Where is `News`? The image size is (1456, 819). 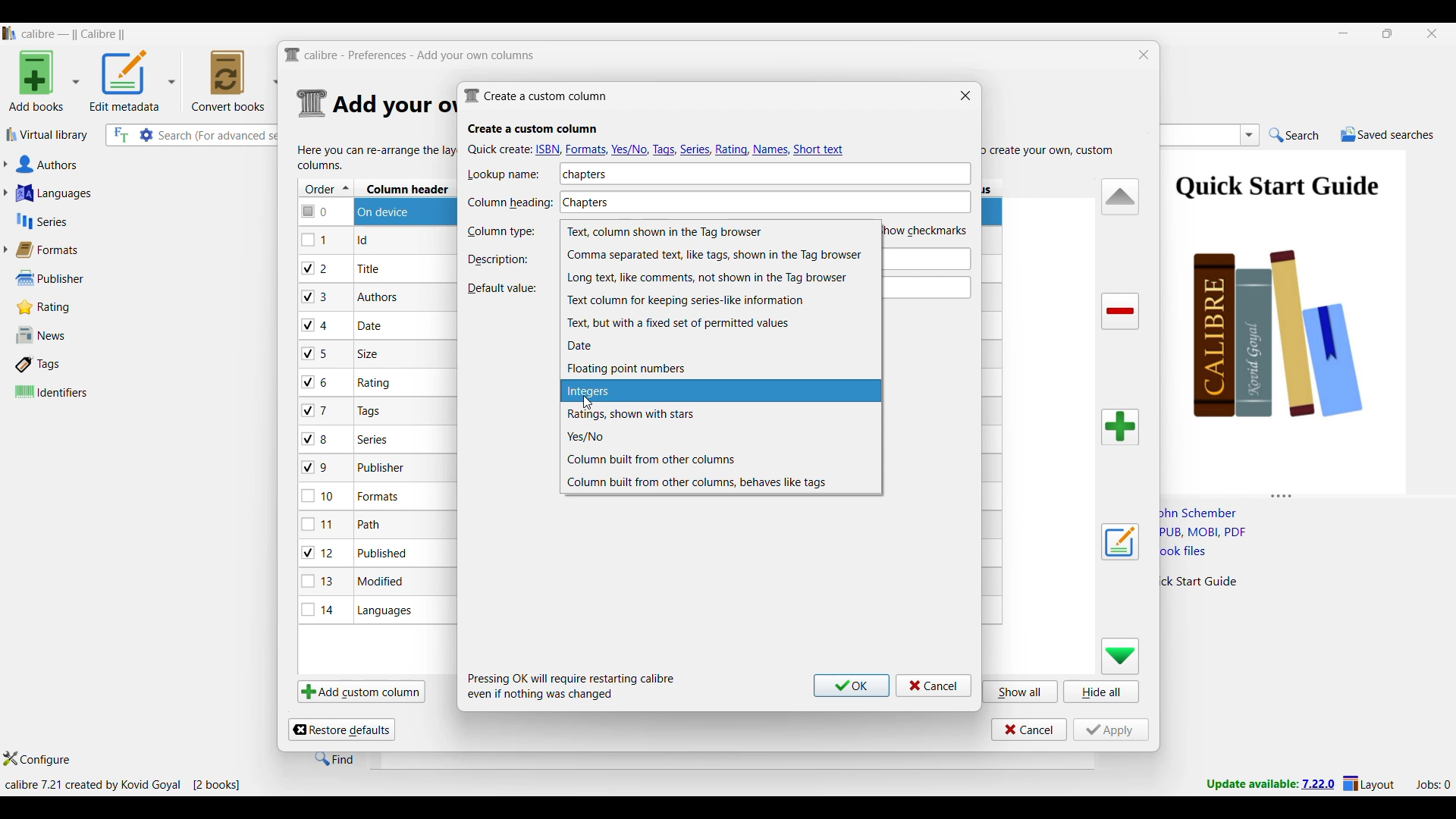
News is located at coordinates (71, 335).